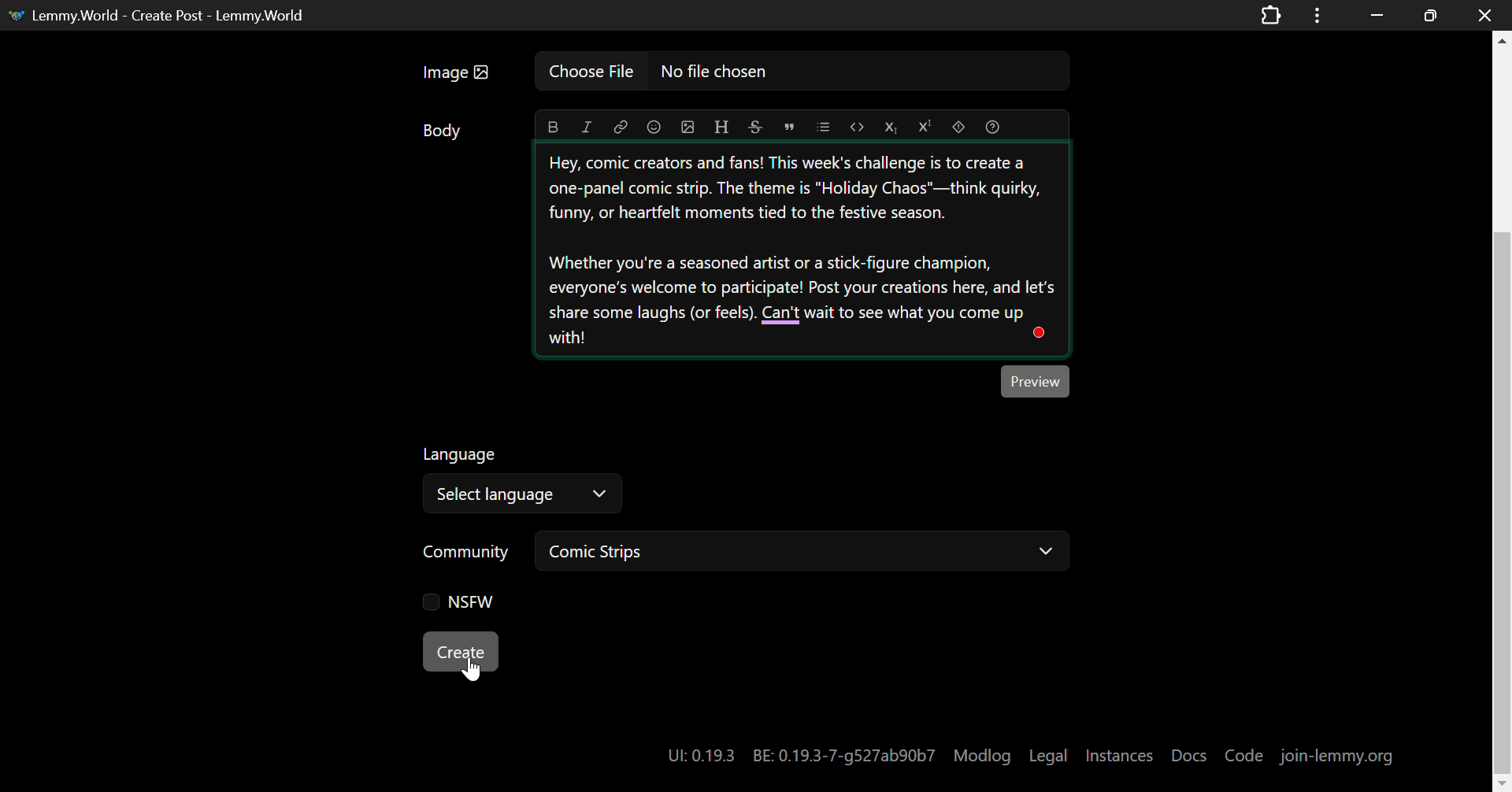 Image resolution: width=1512 pixels, height=792 pixels. Describe the element at coordinates (925, 125) in the screenshot. I see `Superscript` at that location.